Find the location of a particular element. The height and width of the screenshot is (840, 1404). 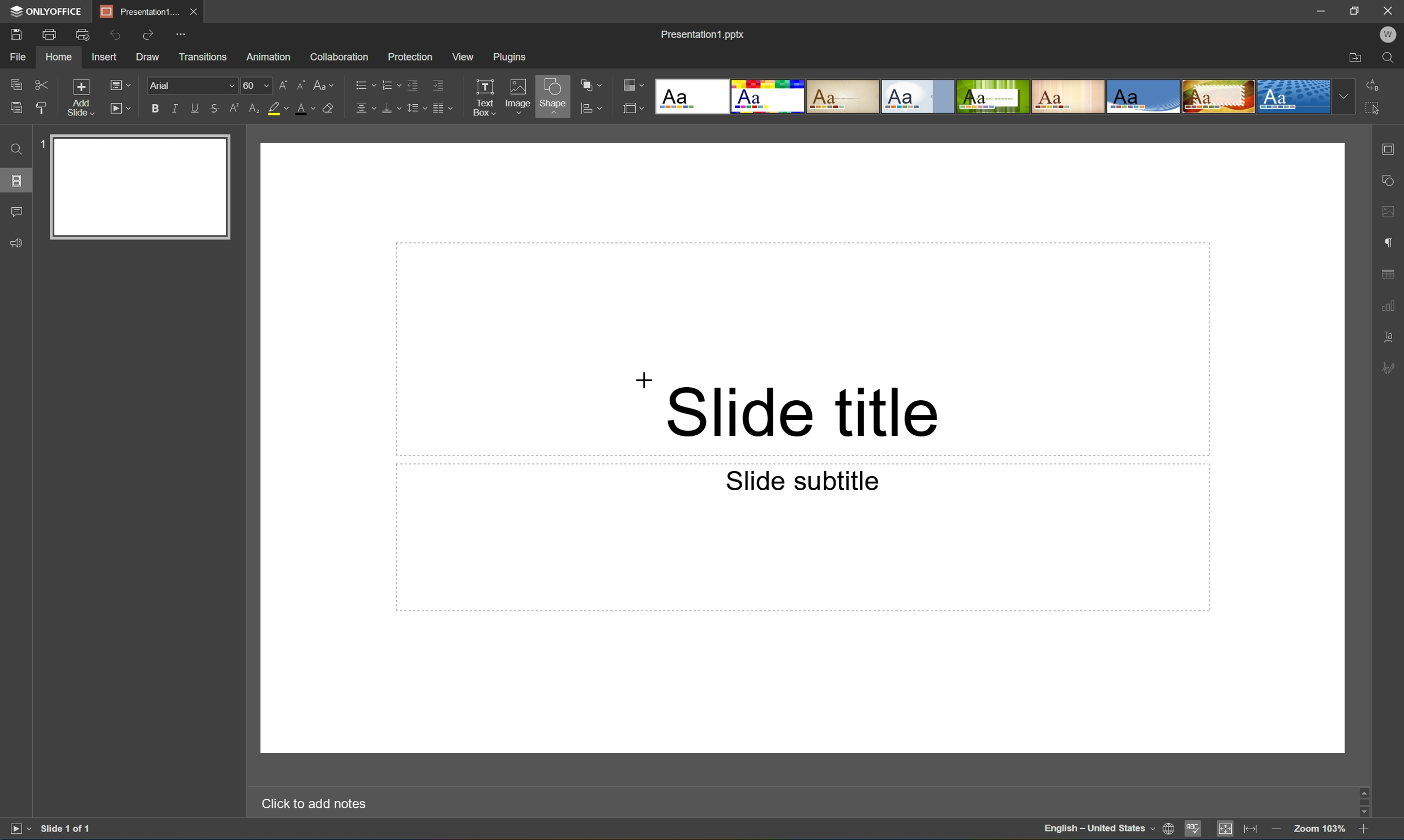

Slide is located at coordinates (142, 186).